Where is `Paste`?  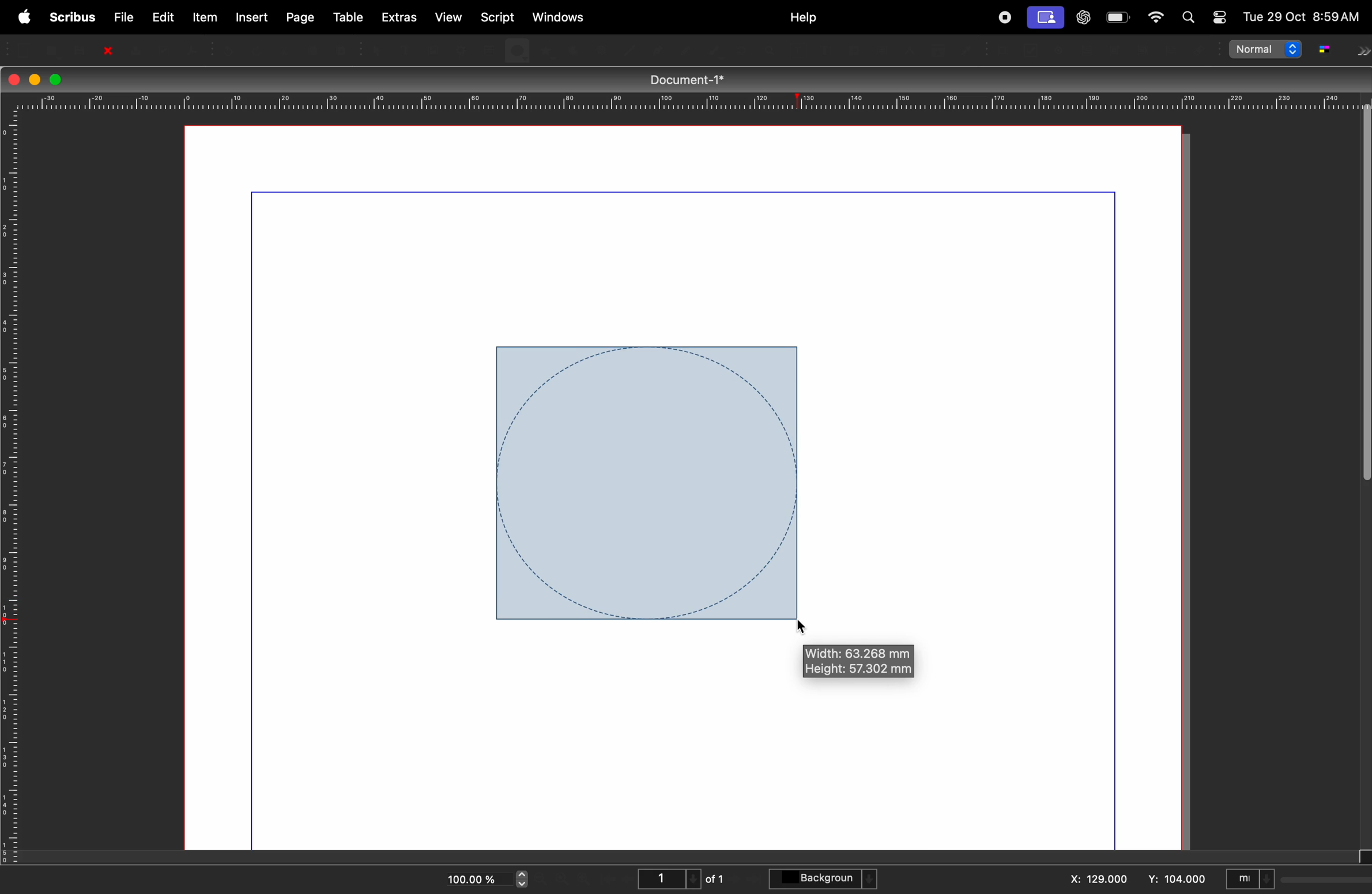 Paste is located at coordinates (344, 48).